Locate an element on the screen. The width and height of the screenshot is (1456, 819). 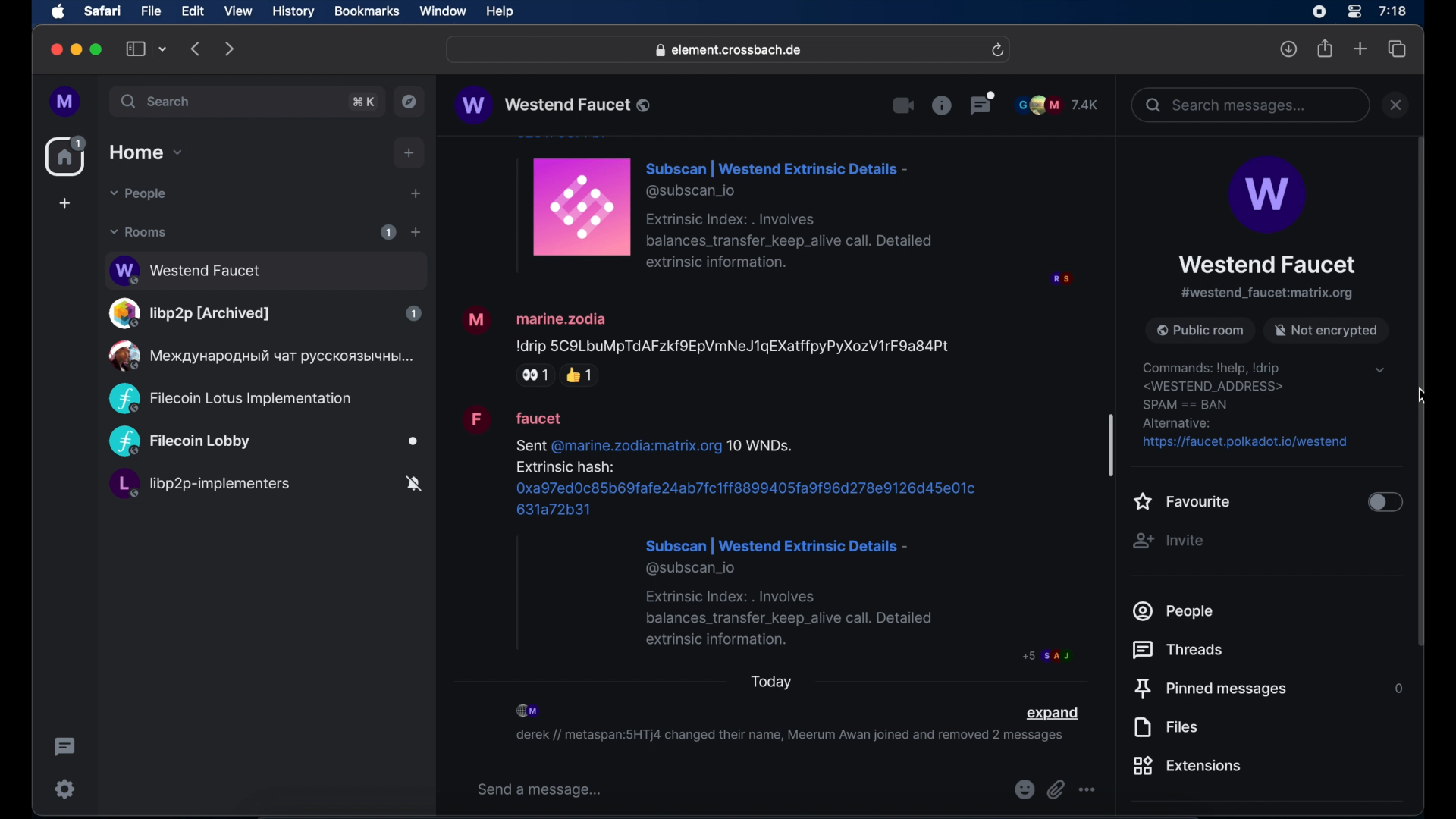
dropdown is located at coordinates (1379, 369).